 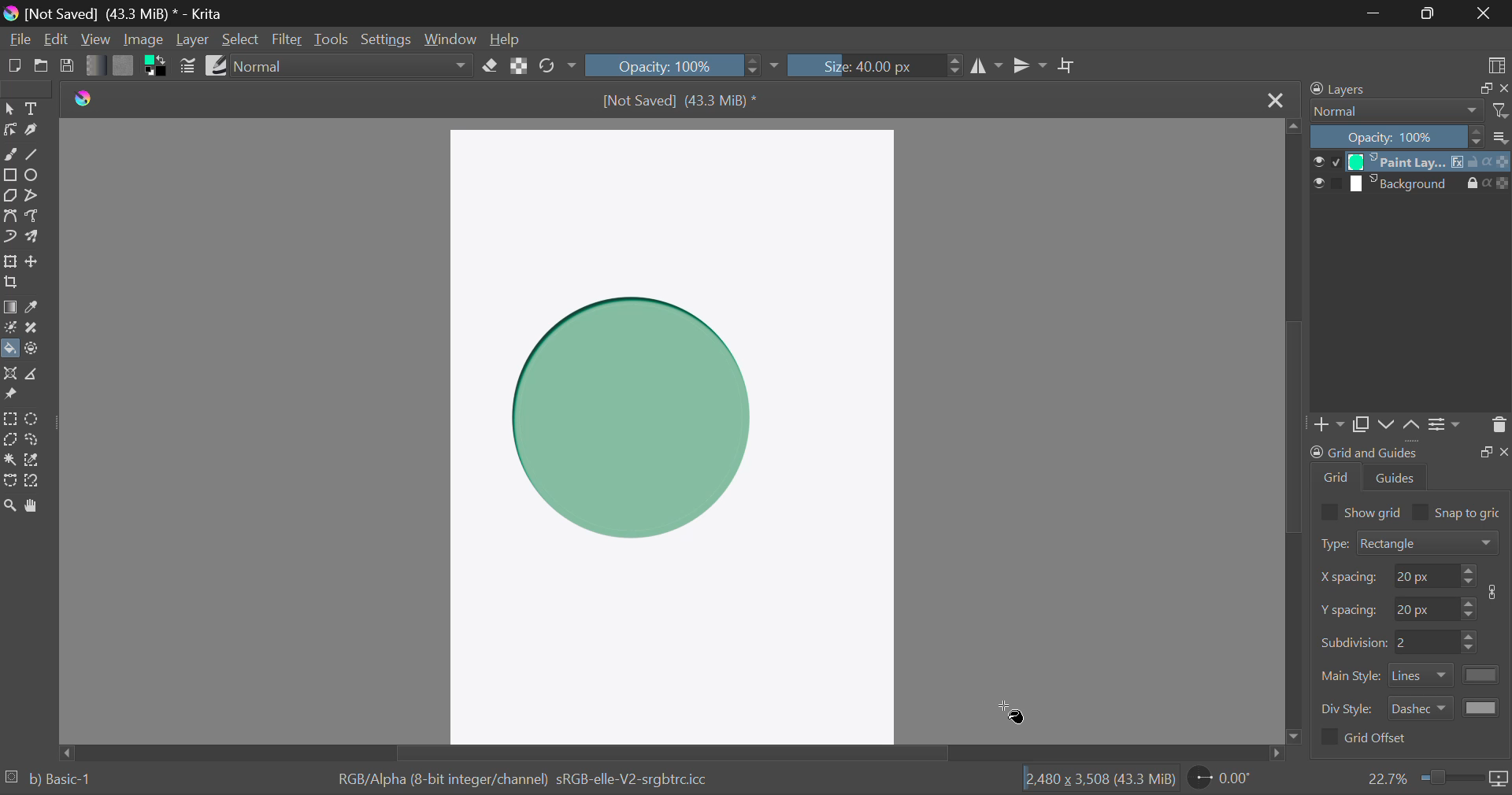 I want to click on Gradient, so click(x=91, y=65).